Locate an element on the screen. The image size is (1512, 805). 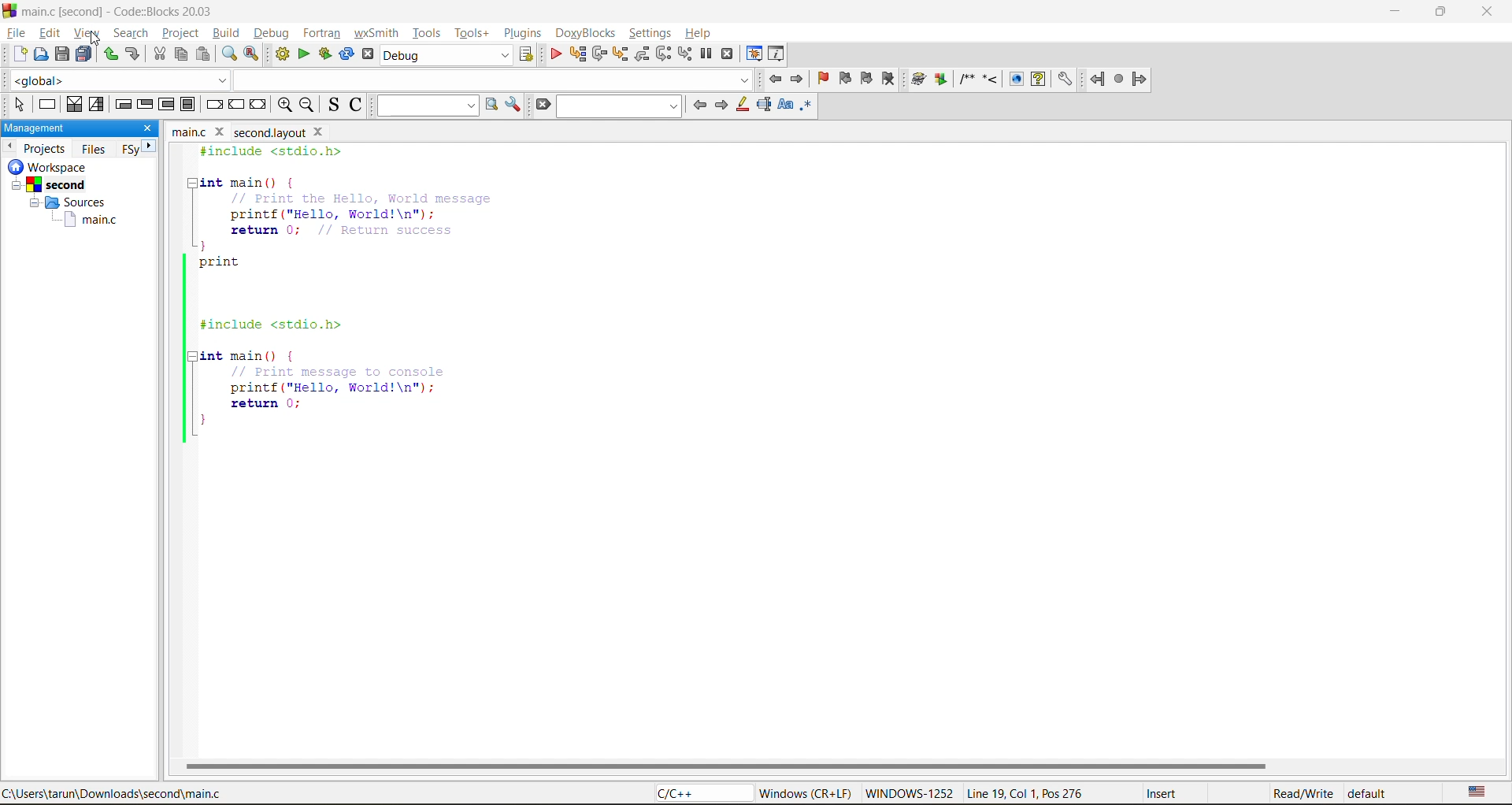
step out is located at coordinates (641, 55).